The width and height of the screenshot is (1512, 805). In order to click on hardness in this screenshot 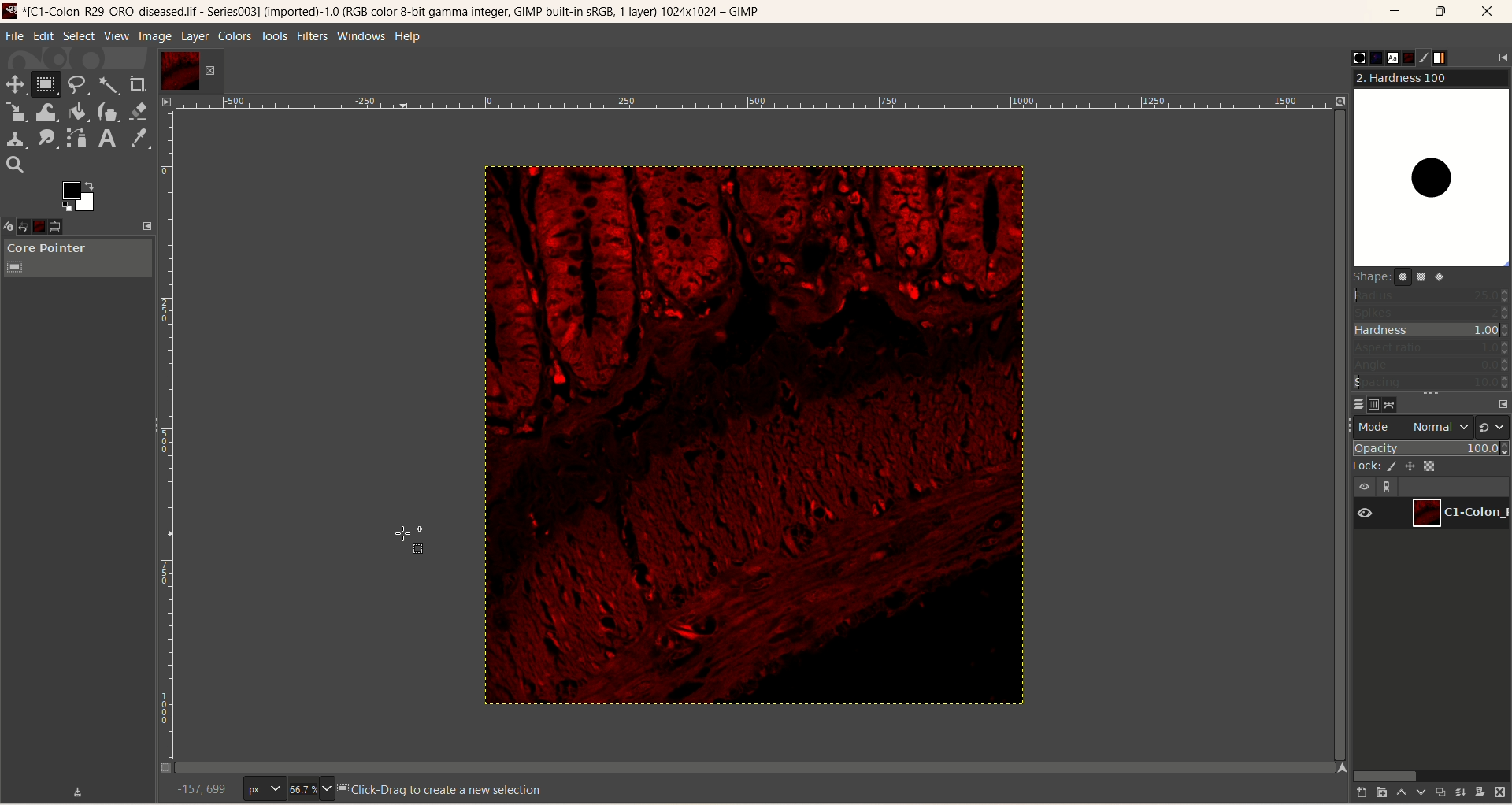, I will do `click(1432, 332)`.